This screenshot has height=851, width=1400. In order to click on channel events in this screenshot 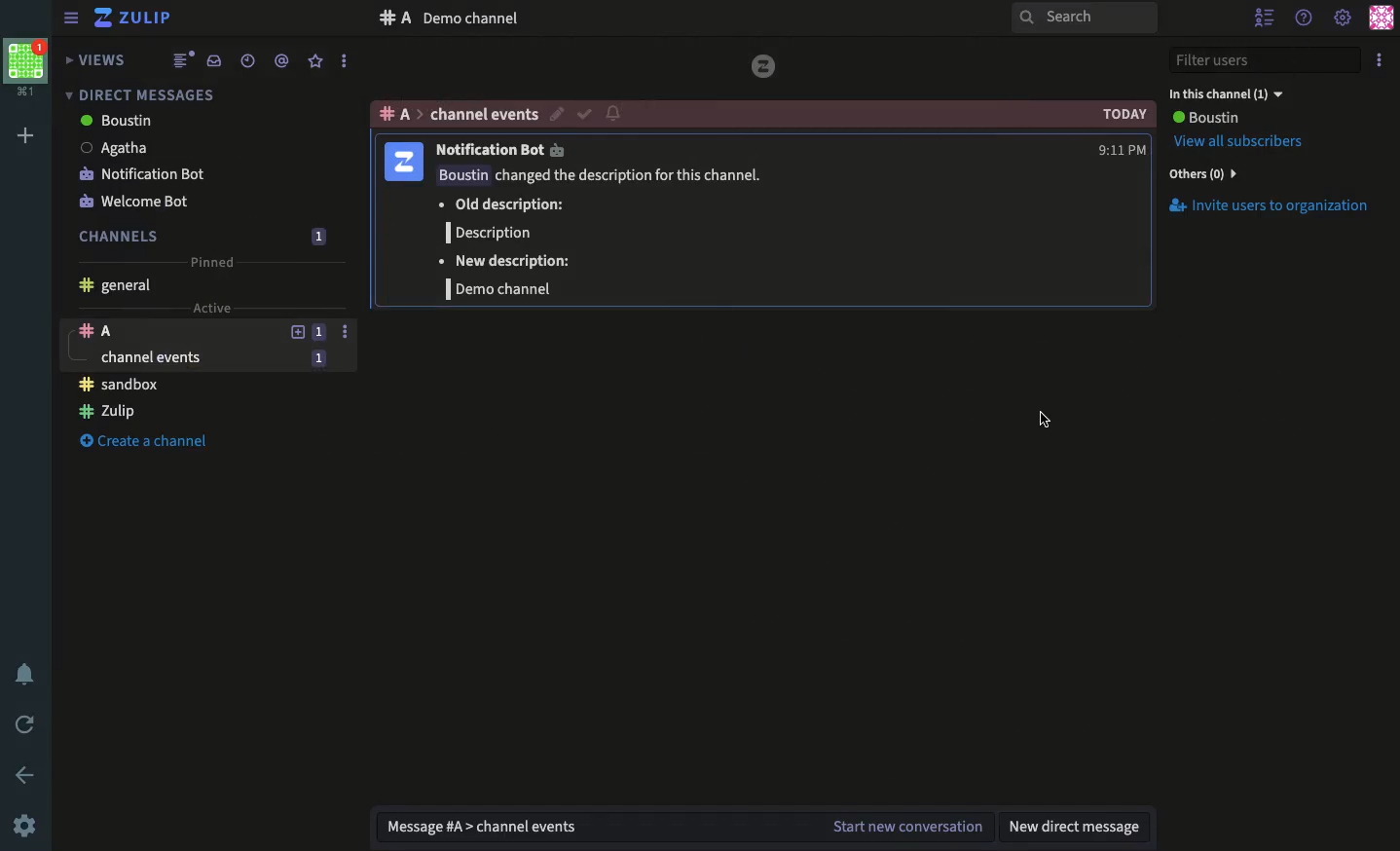, I will do `click(482, 115)`.